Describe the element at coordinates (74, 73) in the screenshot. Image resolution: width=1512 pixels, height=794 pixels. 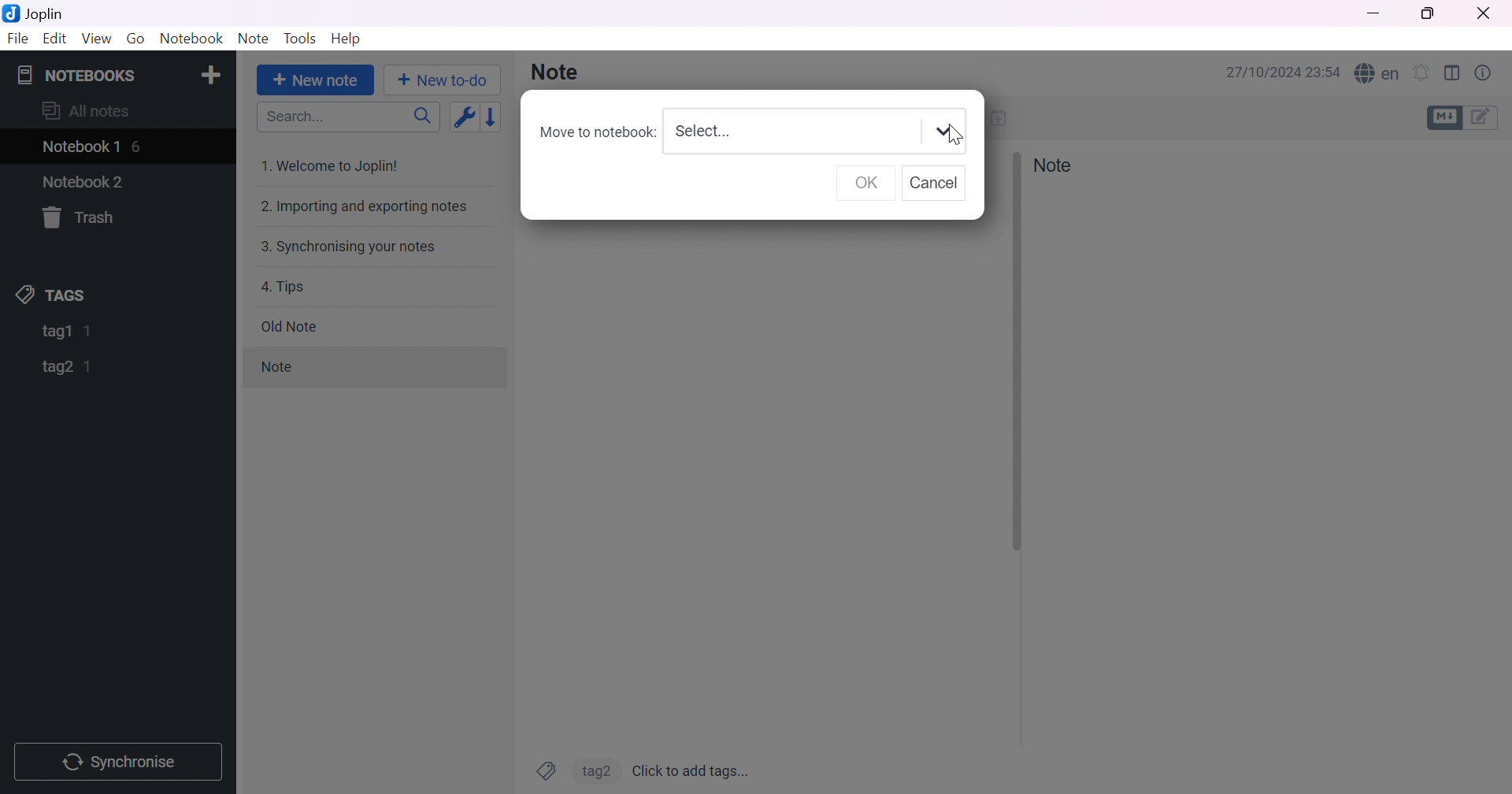
I see `NOTEBOOKS` at that location.